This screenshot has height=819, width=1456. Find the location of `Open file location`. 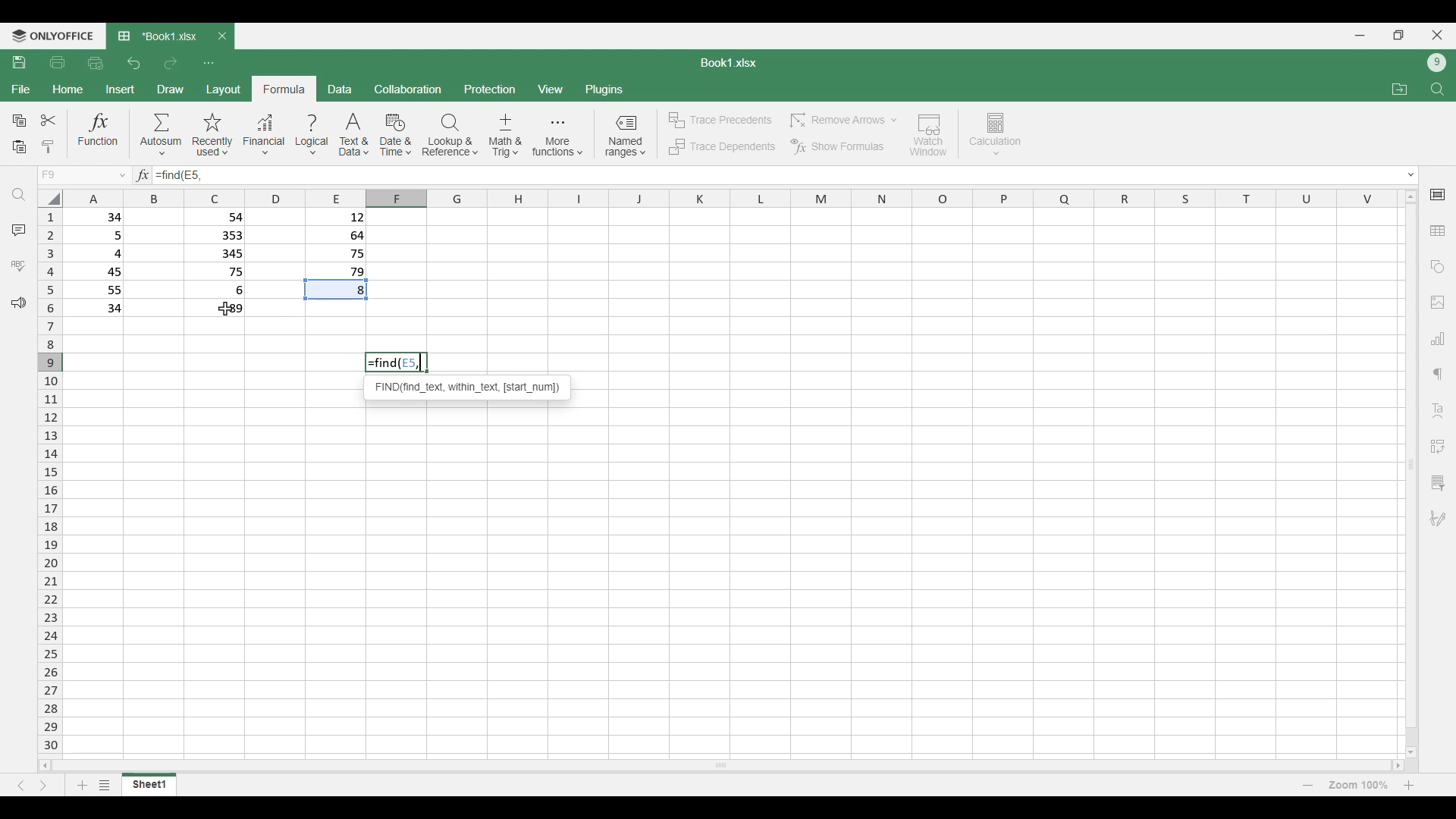

Open file location is located at coordinates (1400, 89).